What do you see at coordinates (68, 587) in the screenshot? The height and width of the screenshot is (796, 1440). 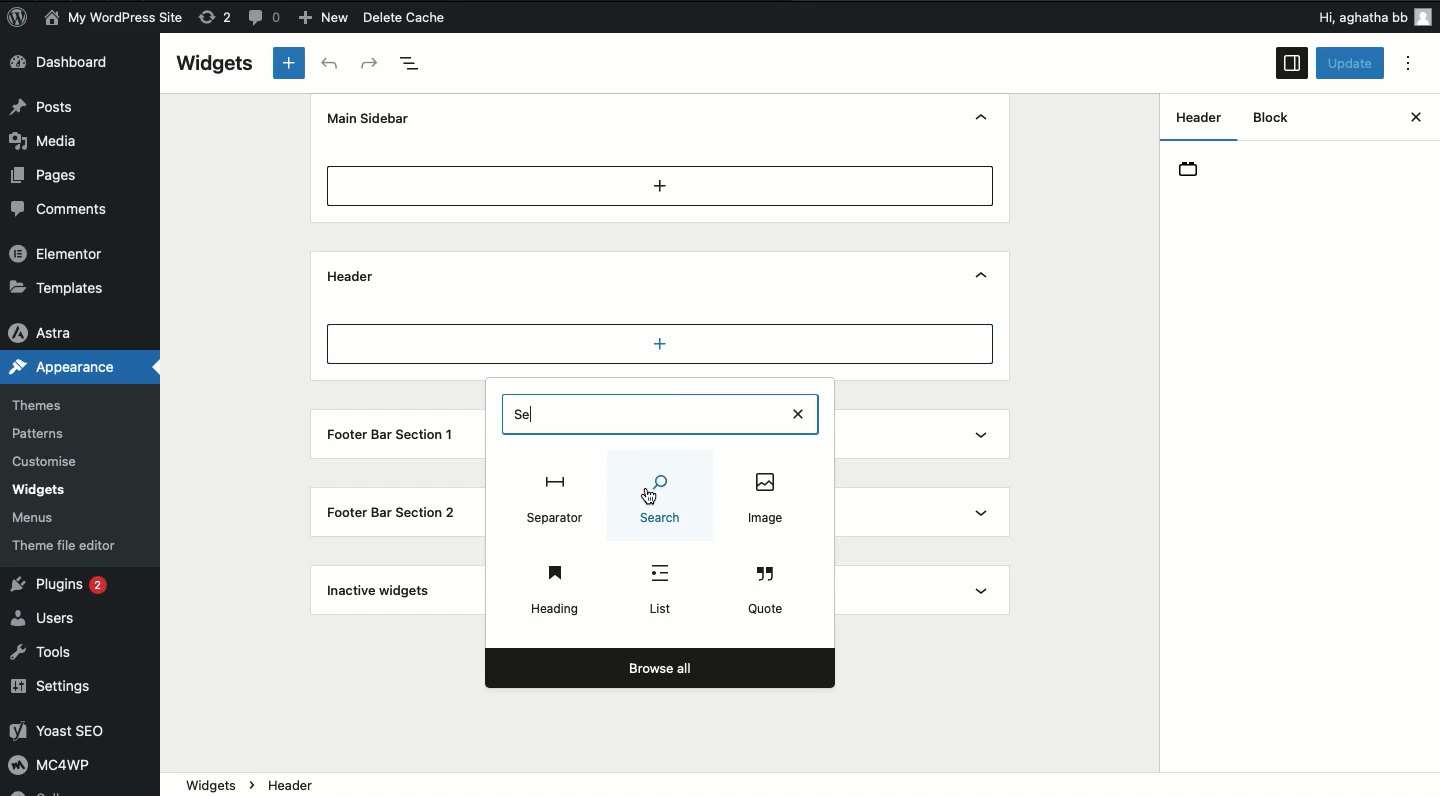 I see `Plugins 2` at bounding box center [68, 587].